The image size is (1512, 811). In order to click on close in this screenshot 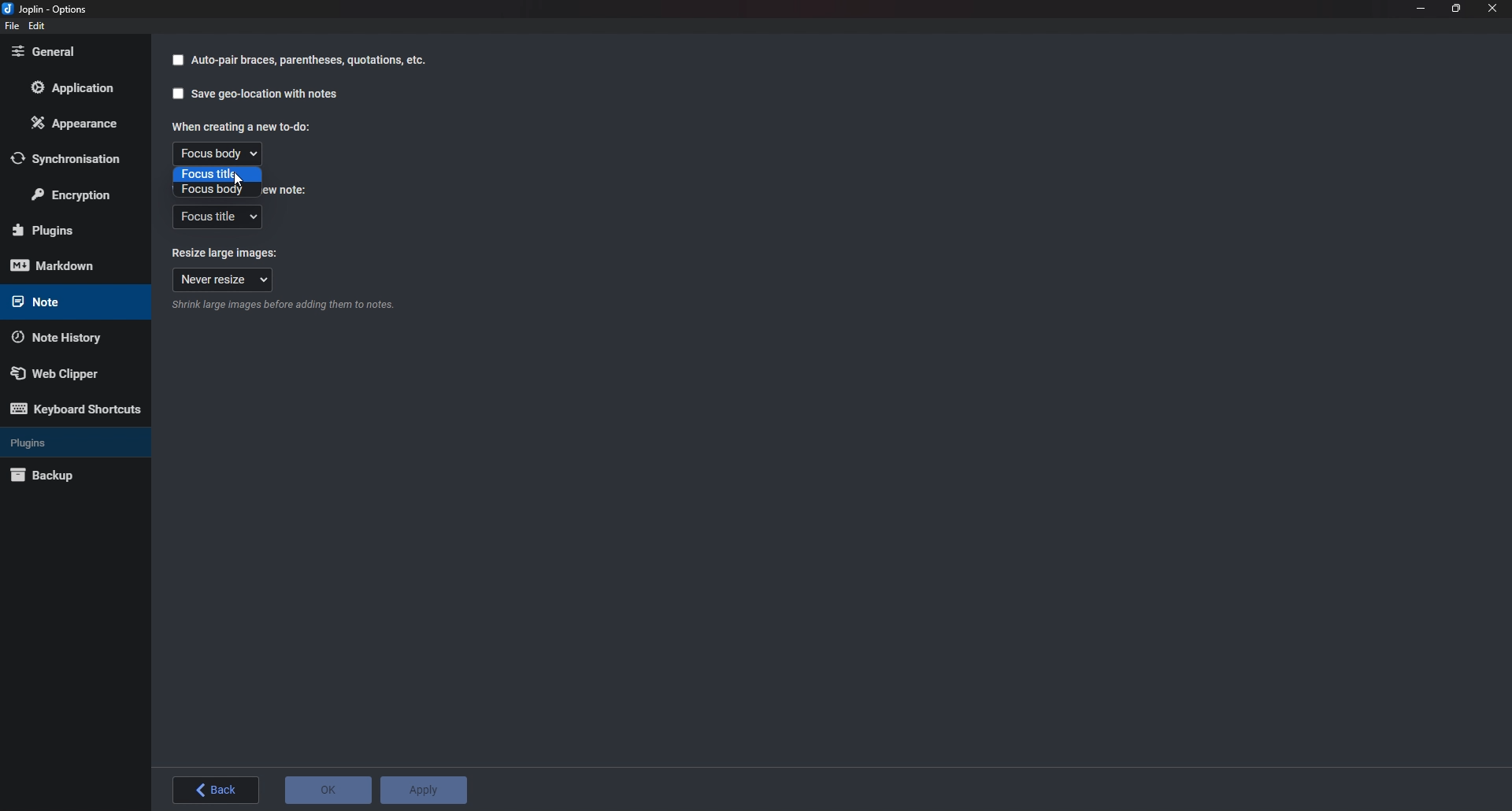, I will do `click(1492, 8)`.